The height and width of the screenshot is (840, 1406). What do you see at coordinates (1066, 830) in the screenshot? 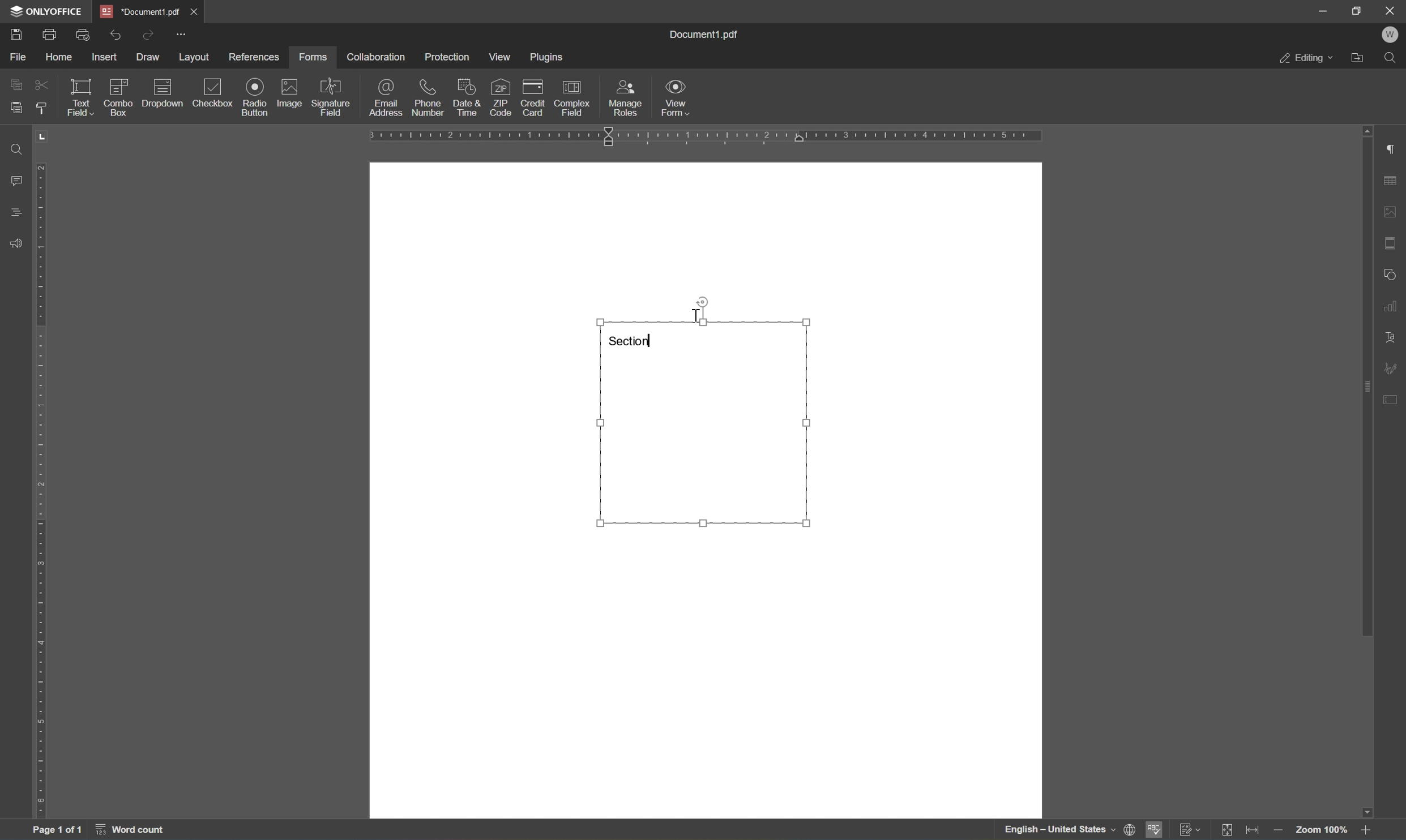
I see `set document language` at bounding box center [1066, 830].